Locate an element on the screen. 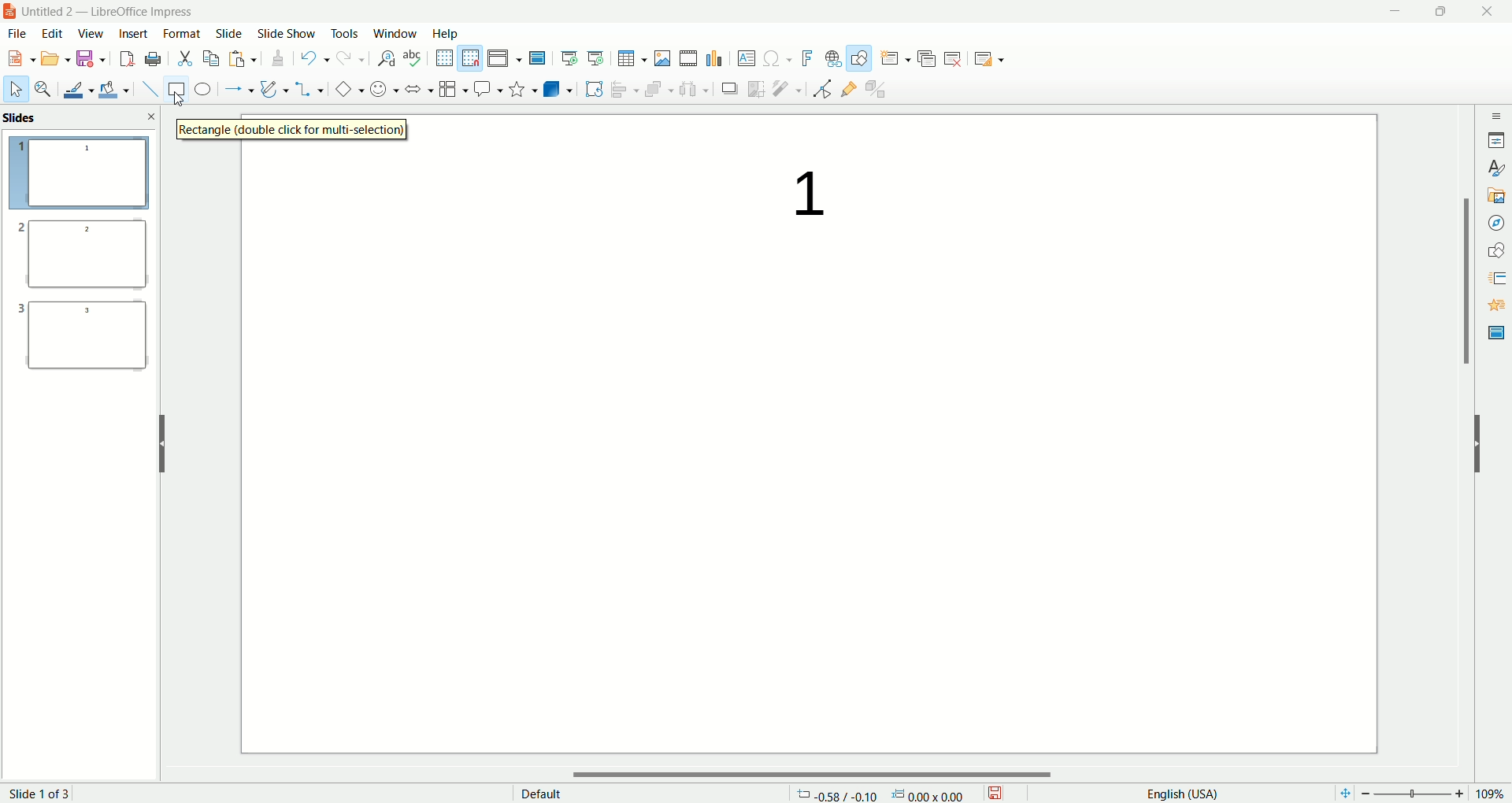  fontwork text is located at coordinates (805, 57).